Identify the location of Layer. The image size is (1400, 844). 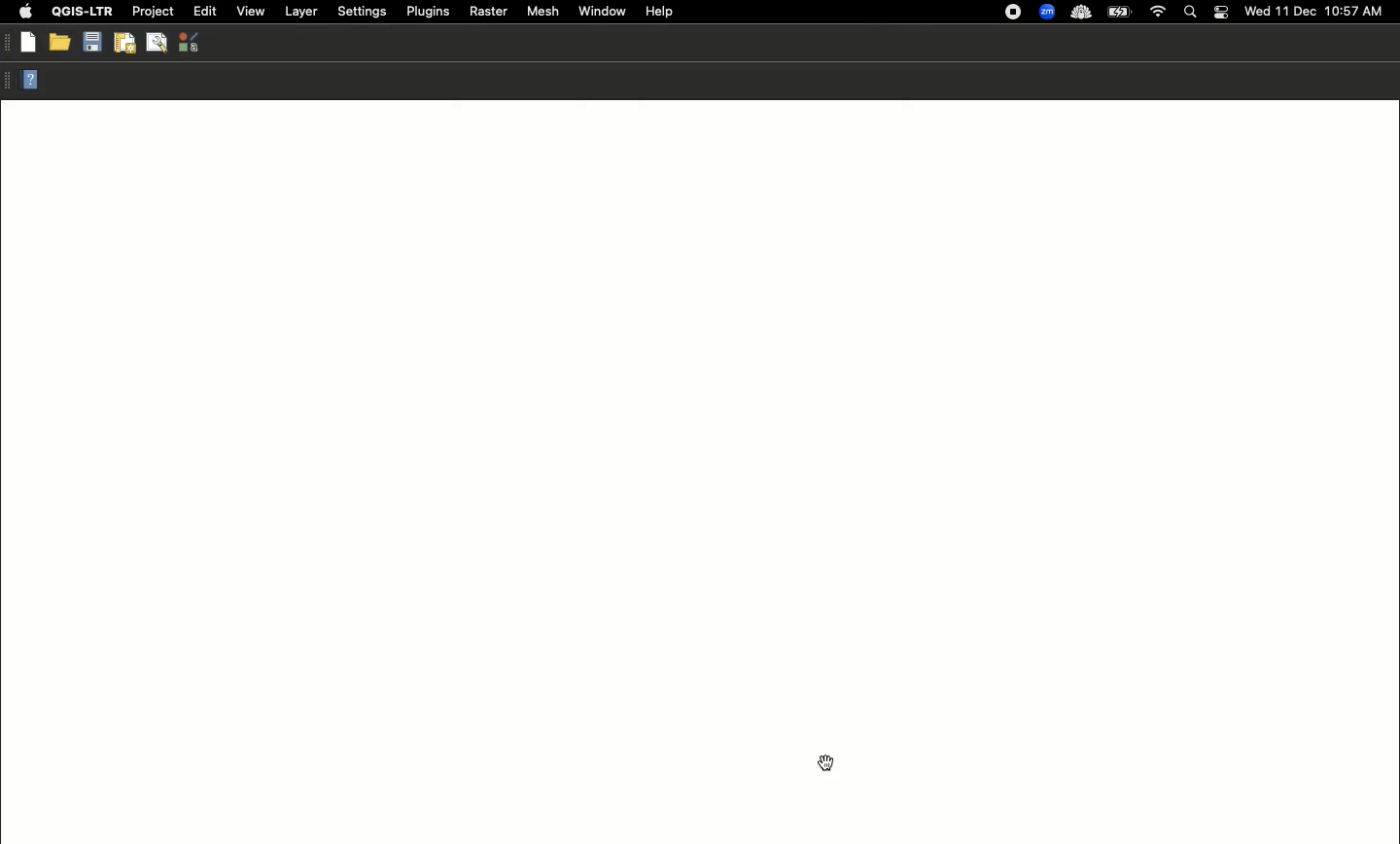
(300, 12).